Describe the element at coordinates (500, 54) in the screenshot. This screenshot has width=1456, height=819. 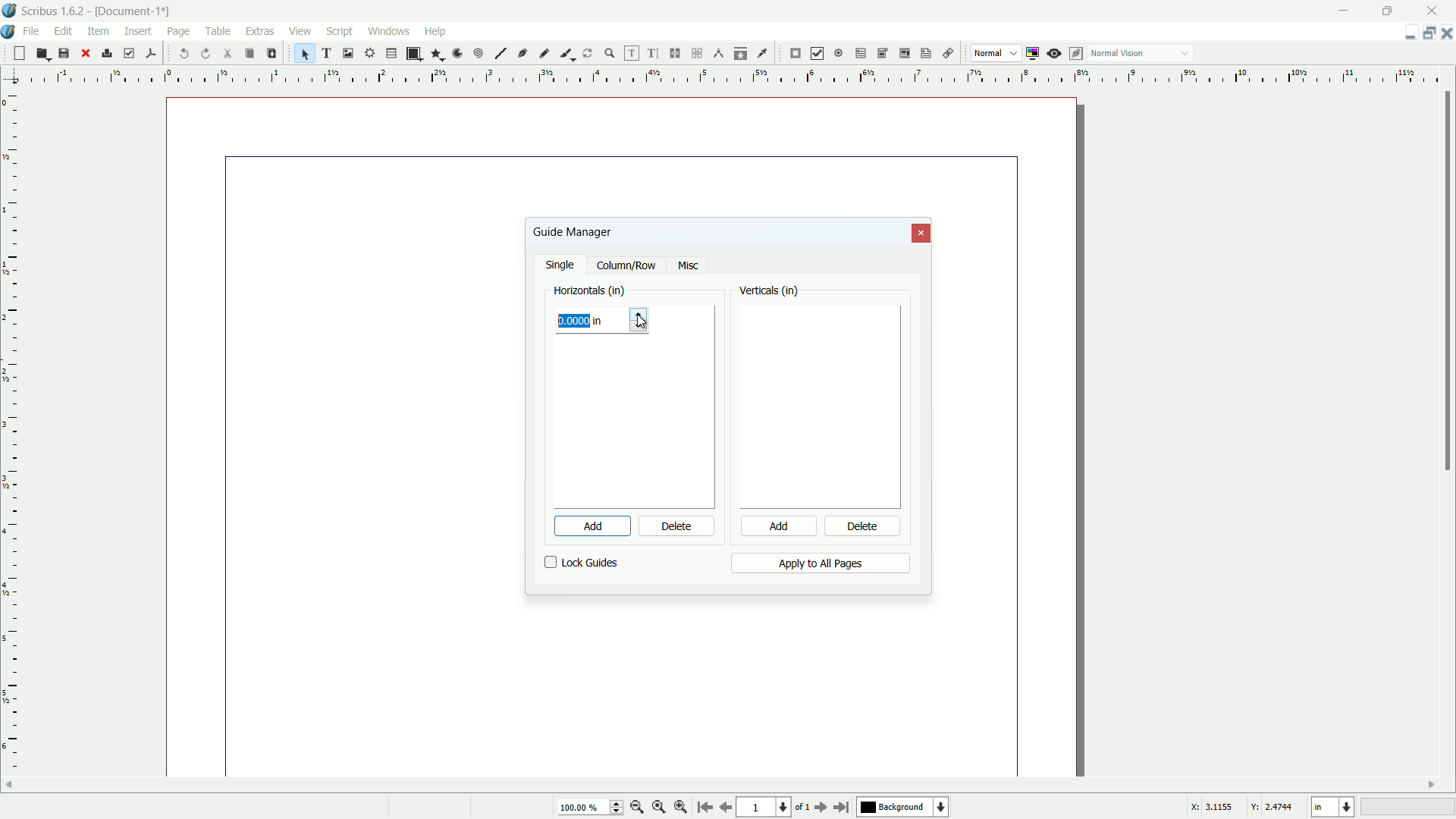
I see `line` at that location.